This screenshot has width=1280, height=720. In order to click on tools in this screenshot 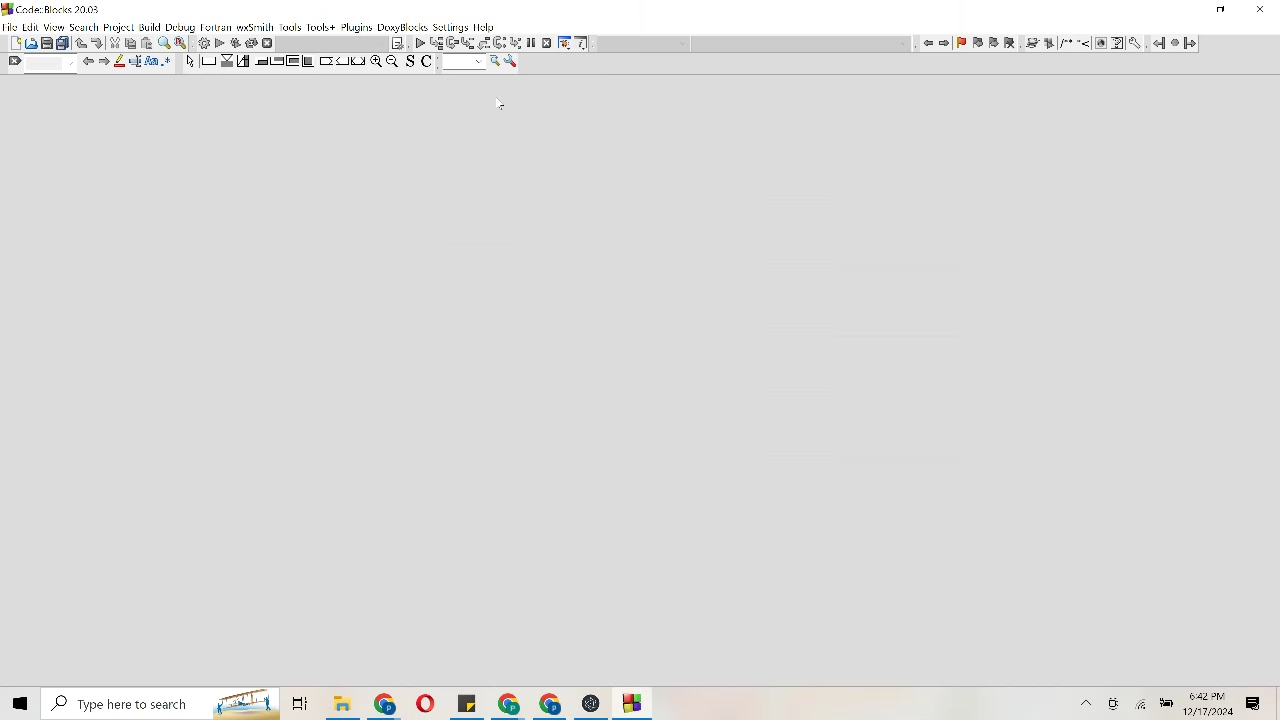, I will do `click(1137, 44)`.